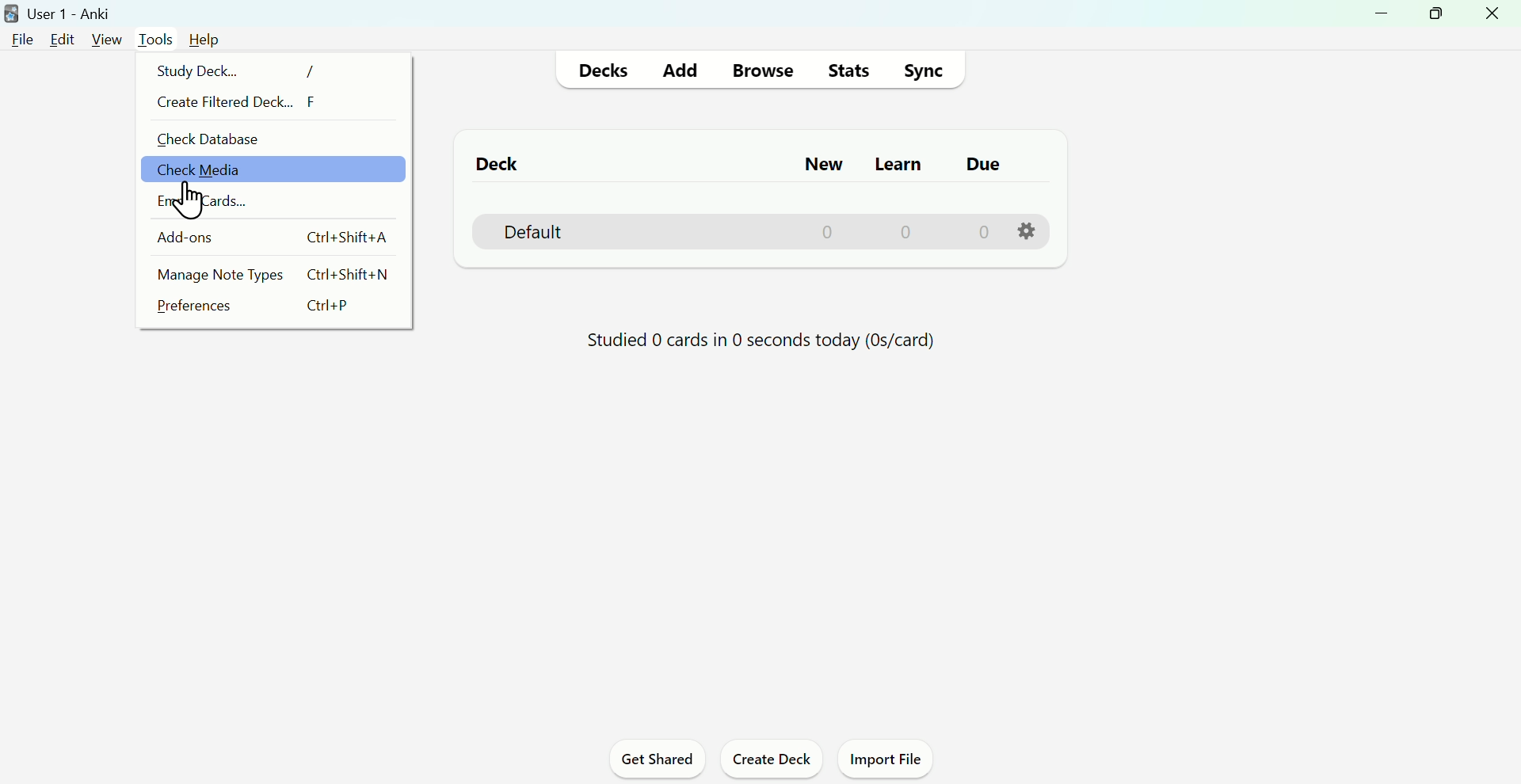 The width and height of the screenshot is (1521, 784). Describe the element at coordinates (761, 341) in the screenshot. I see `Studied 0 cards in 0 seconds today (0s/card)` at that location.